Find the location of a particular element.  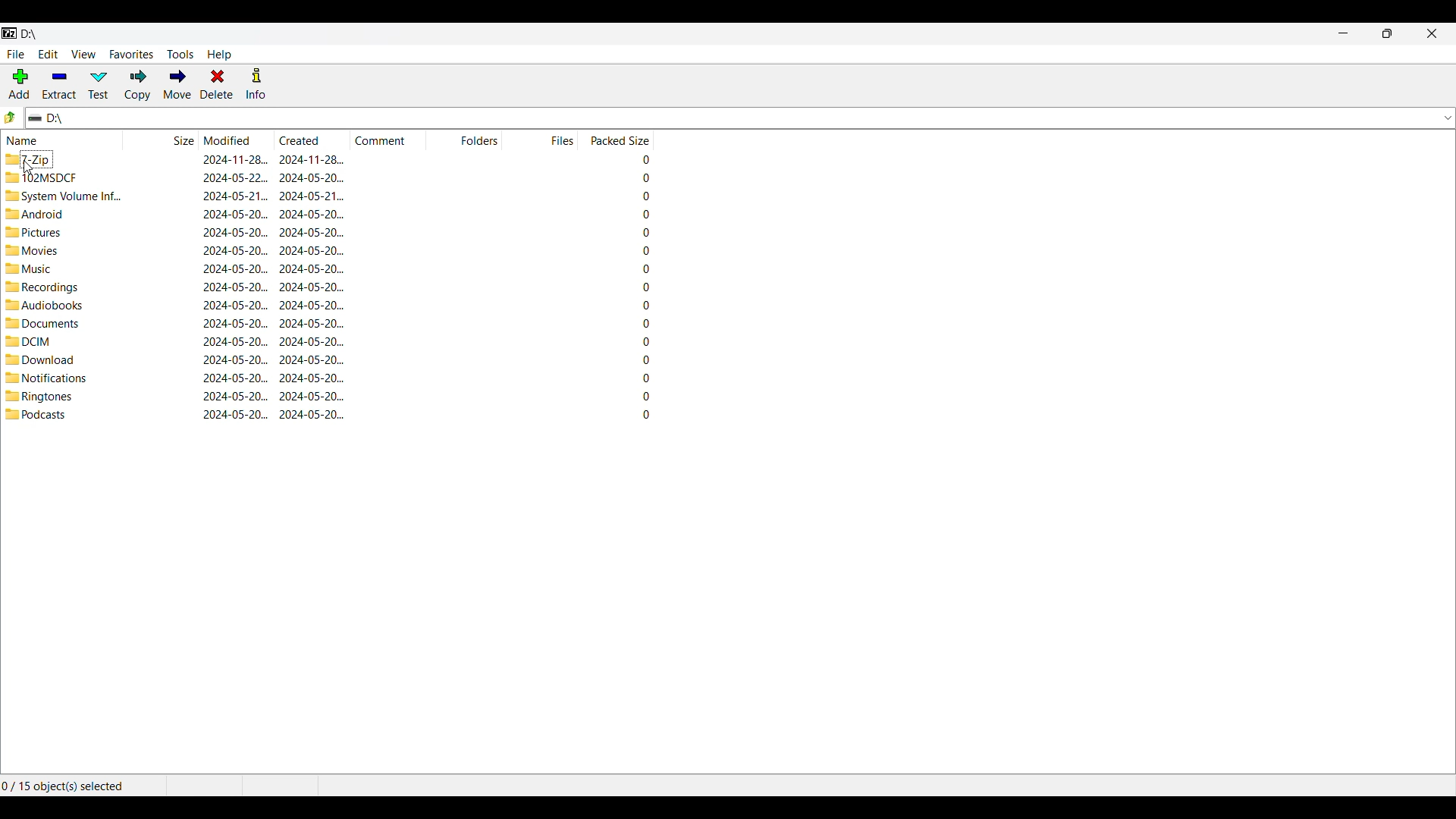

modified date & time is located at coordinates (236, 323).